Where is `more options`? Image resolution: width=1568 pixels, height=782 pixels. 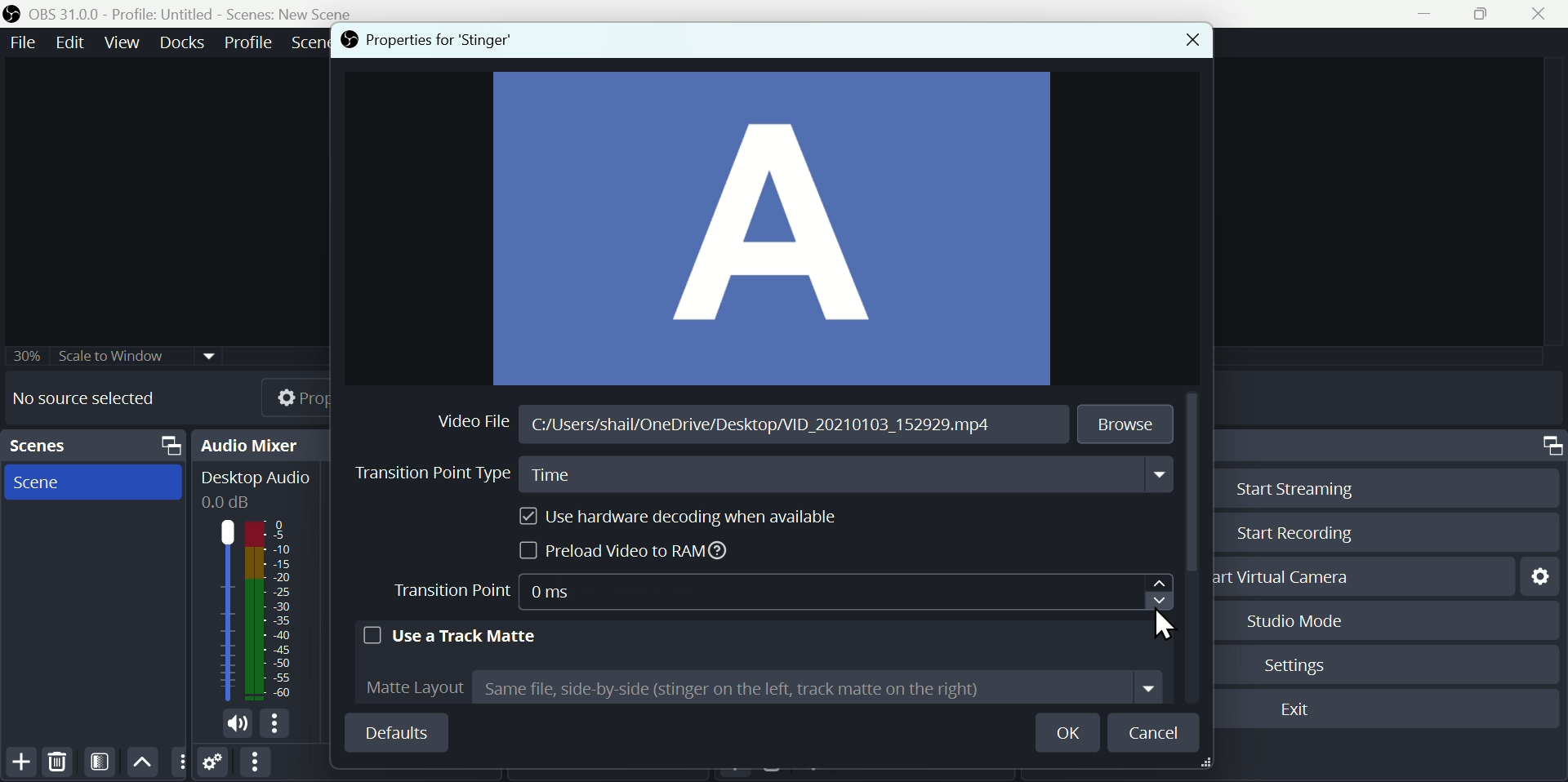 more options is located at coordinates (278, 725).